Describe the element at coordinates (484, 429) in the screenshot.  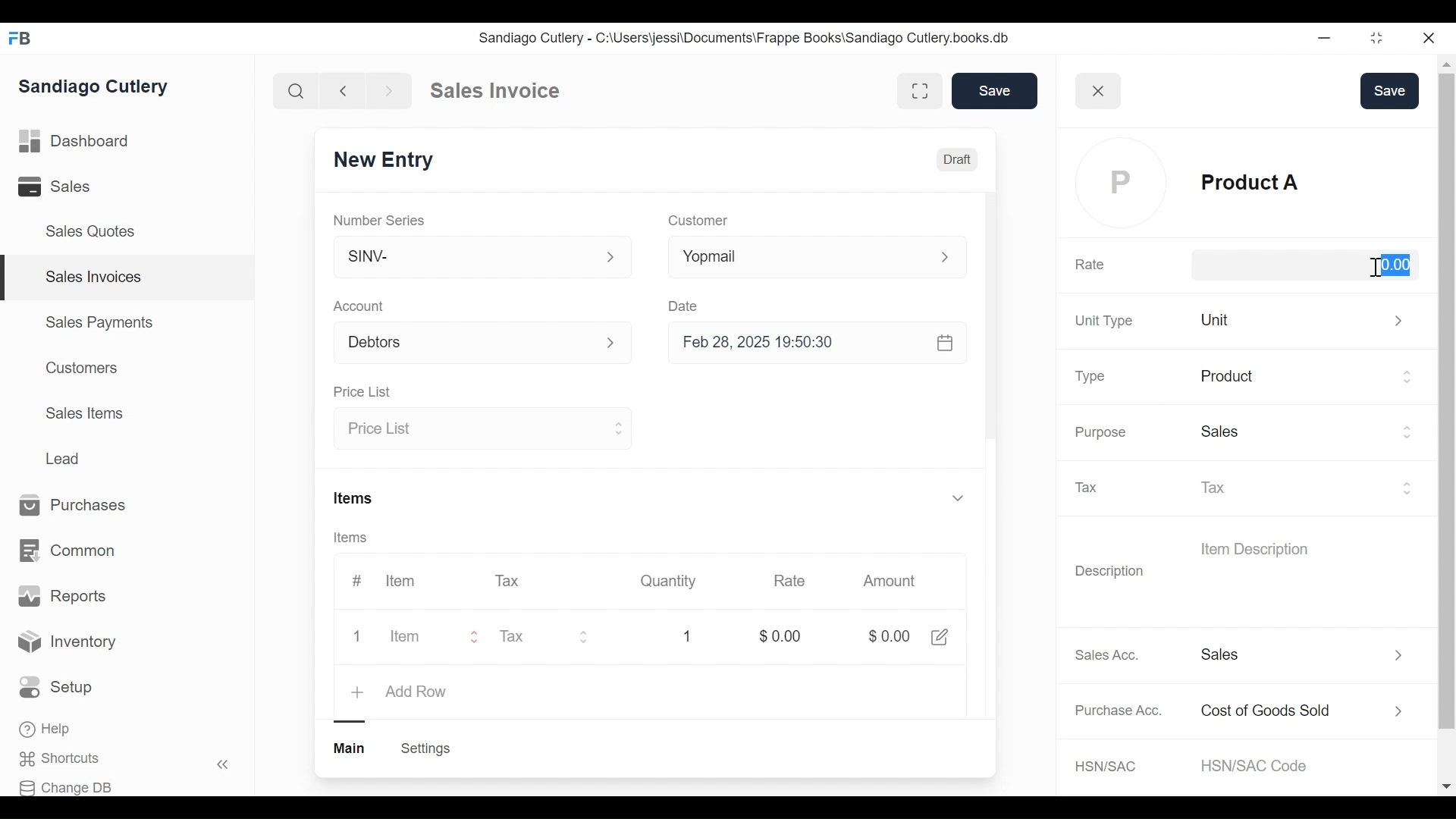
I see `Price List` at that location.